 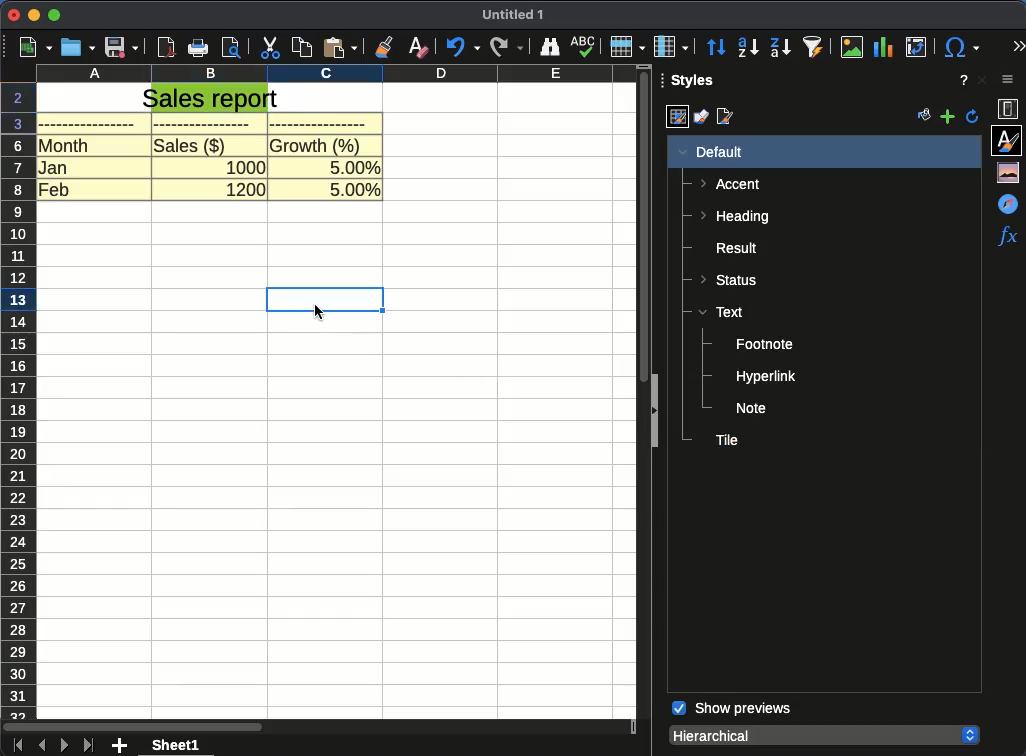 I want to click on tile, so click(x=726, y=440).